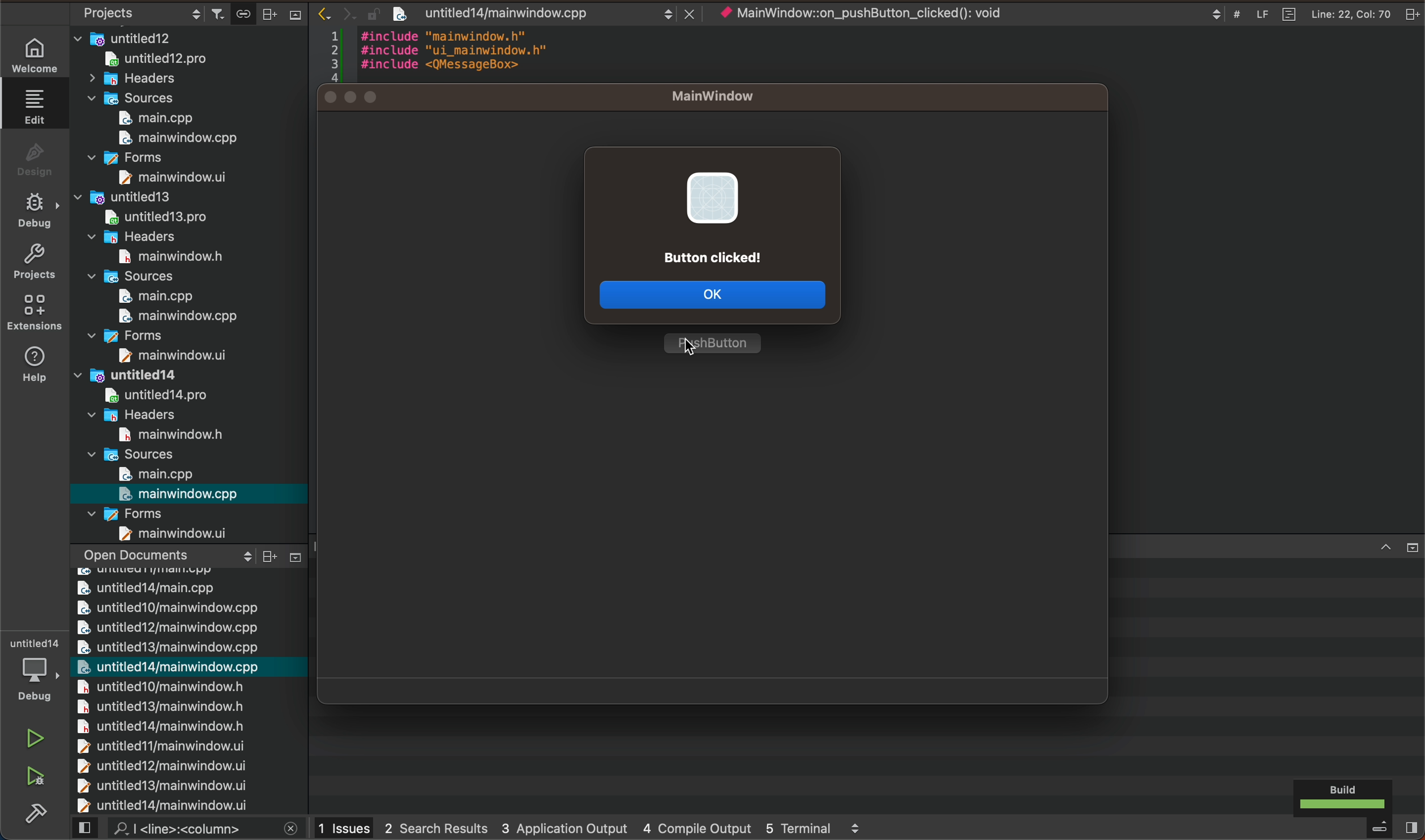 The height and width of the screenshot is (840, 1425). Describe the element at coordinates (1373, 829) in the screenshot. I see `close slide bar` at that location.